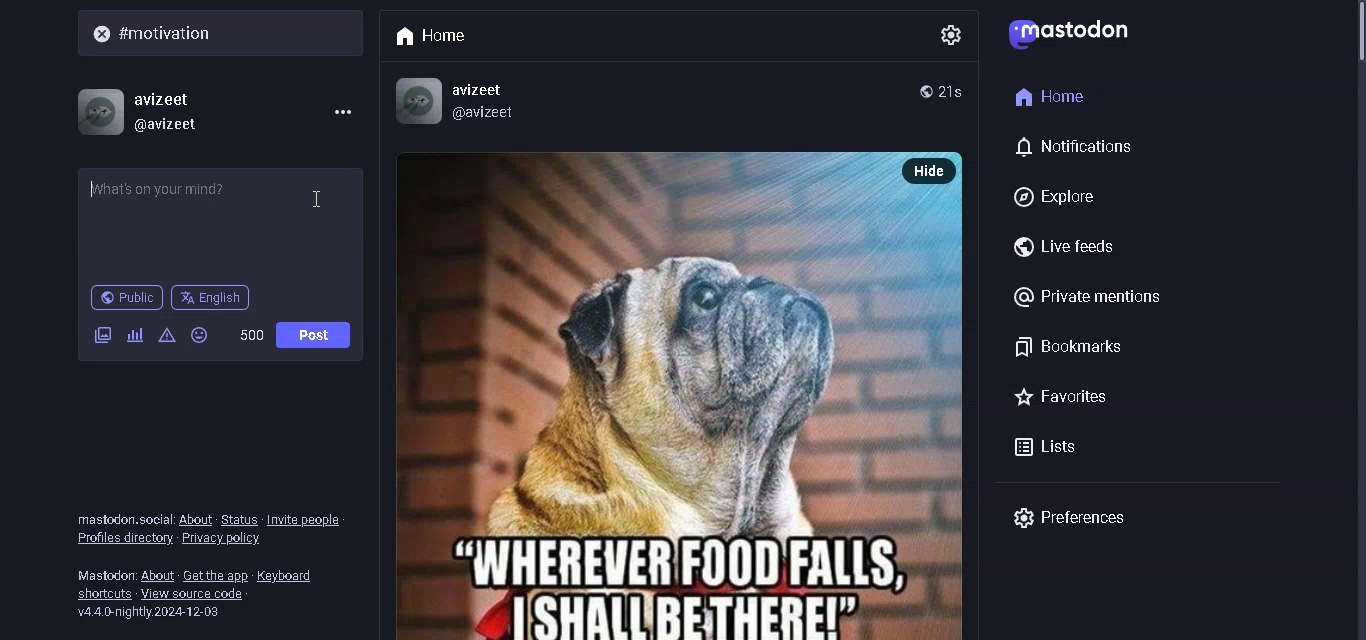  I want to click on search bar, so click(226, 34).